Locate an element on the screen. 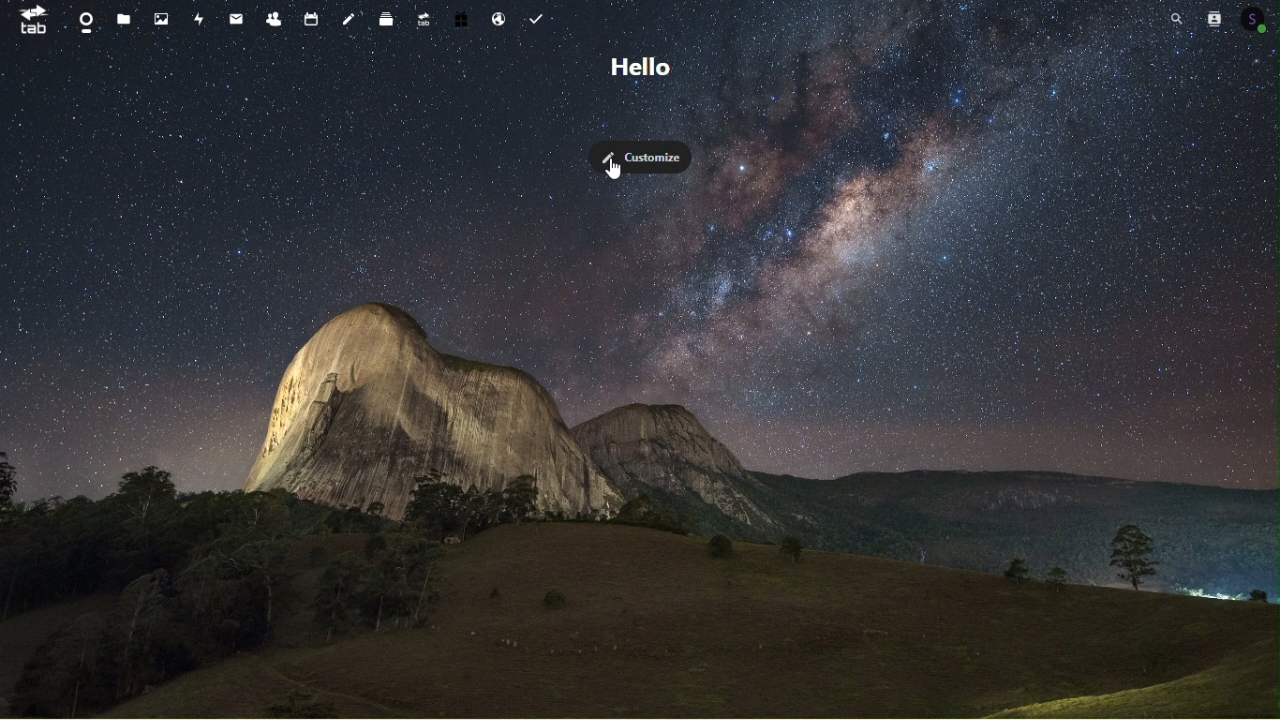 The image size is (1280, 720). Notes is located at coordinates (349, 16).